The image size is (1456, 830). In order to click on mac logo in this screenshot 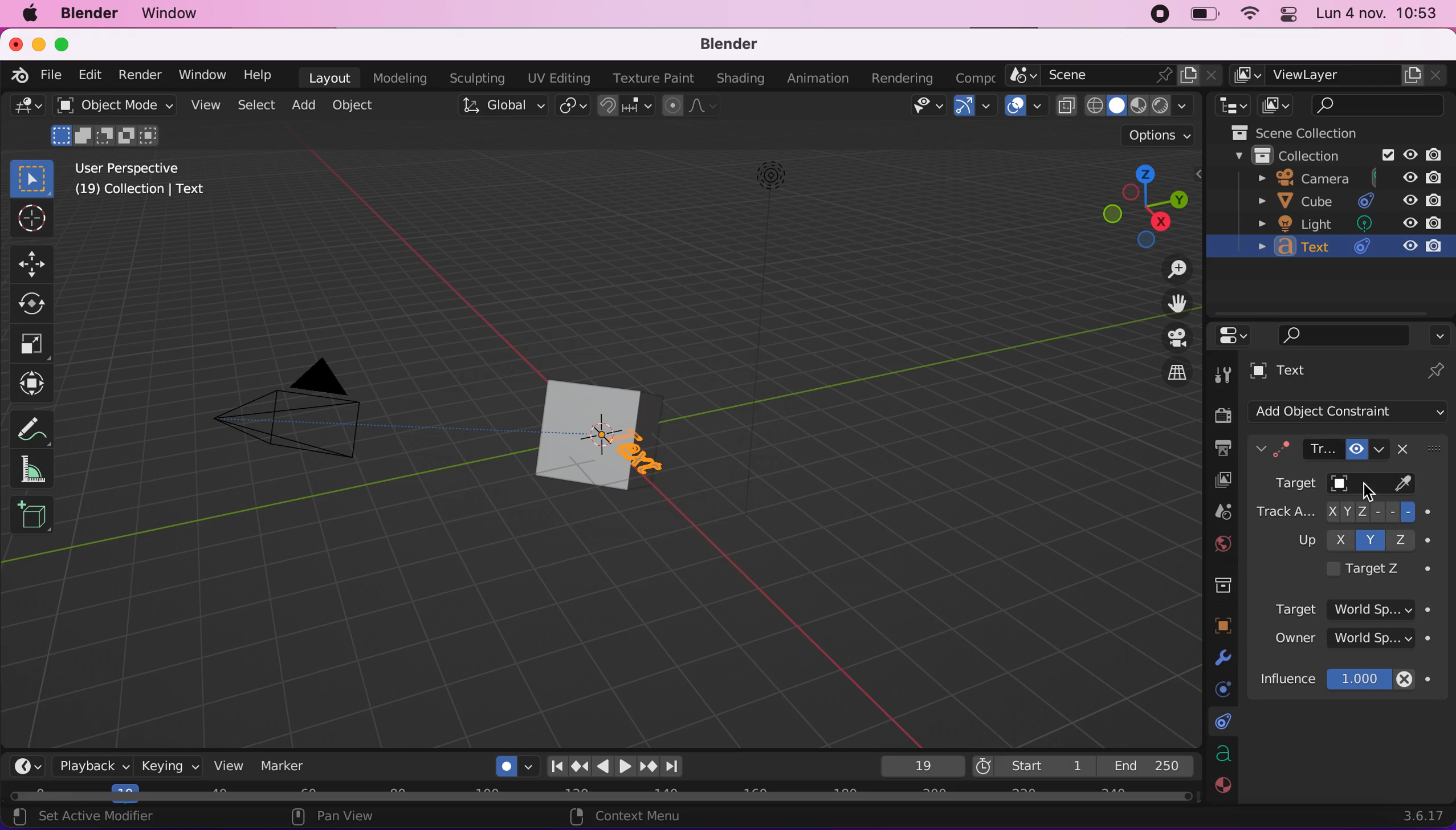, I will do `click(34, 16)`.